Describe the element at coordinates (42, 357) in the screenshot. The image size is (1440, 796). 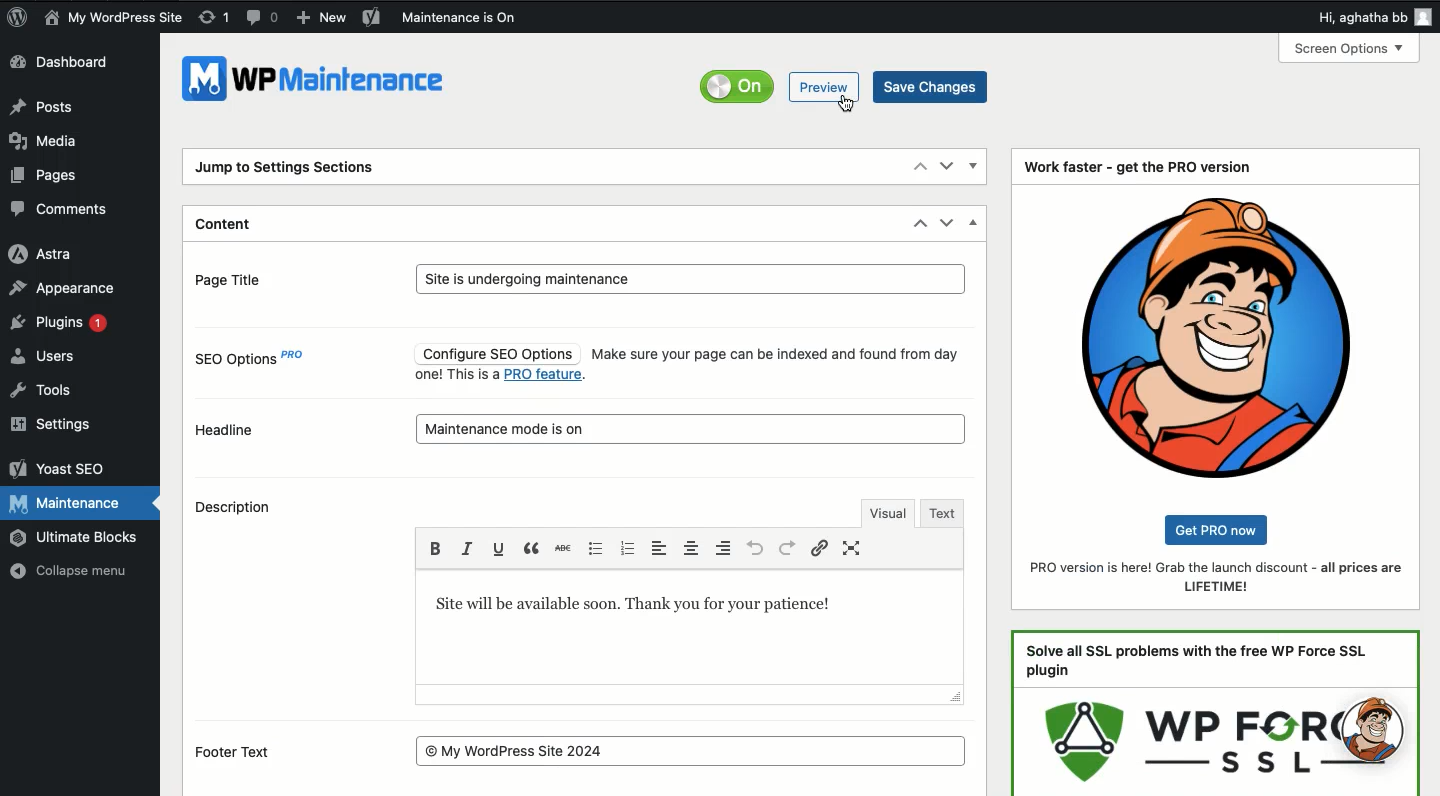
I see `Users` at that location.